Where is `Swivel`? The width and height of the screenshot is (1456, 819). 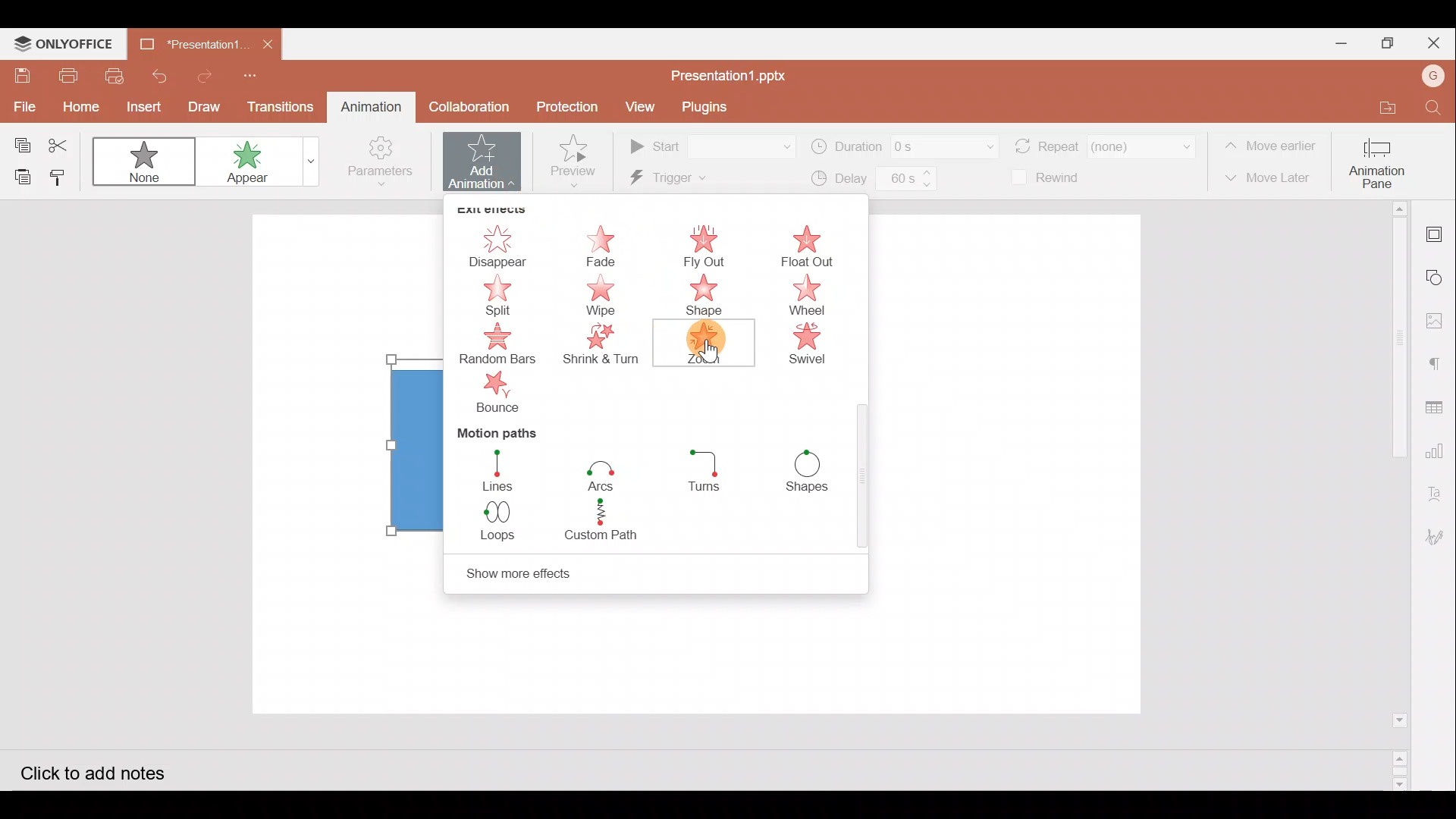 Swivel is located at coordinates (815, 347).